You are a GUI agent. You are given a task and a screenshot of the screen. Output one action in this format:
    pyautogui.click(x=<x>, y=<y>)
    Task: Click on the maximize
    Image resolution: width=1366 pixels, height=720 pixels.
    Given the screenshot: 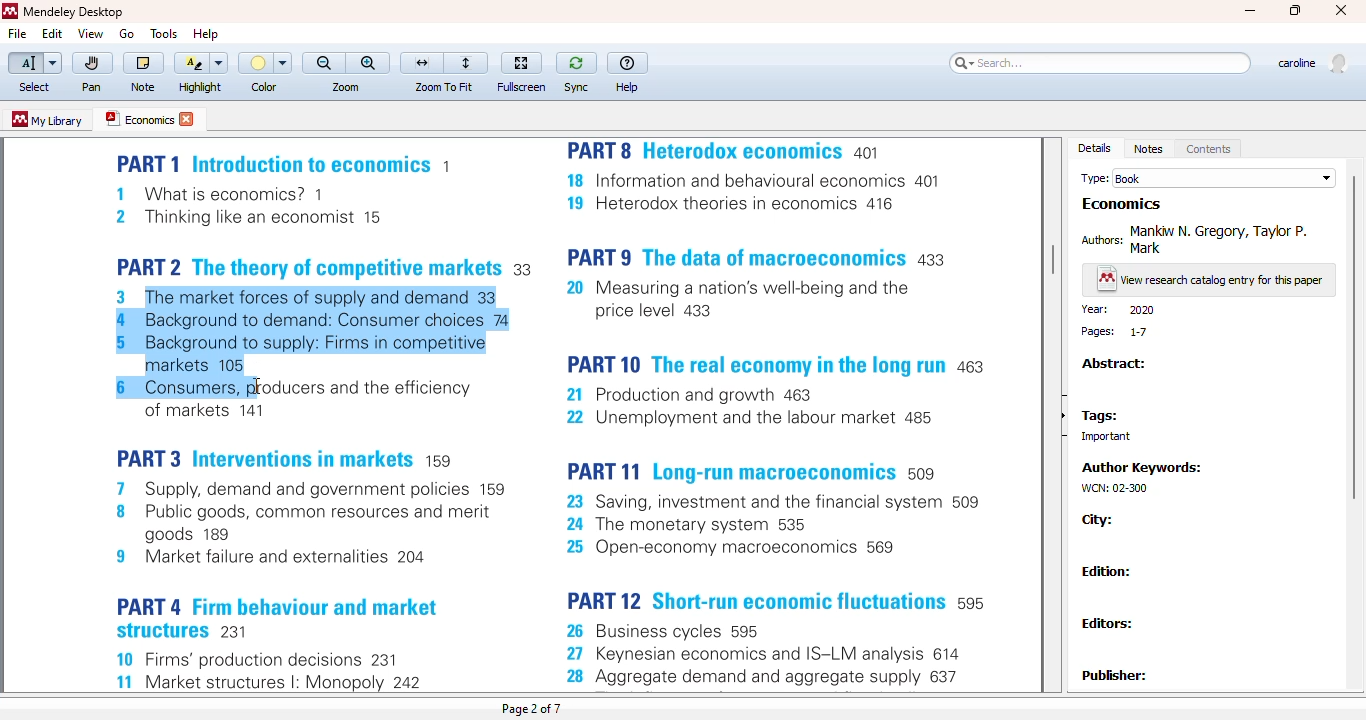 What is the action you would take?
    pyautogui.click(x=1297, y=11)
    